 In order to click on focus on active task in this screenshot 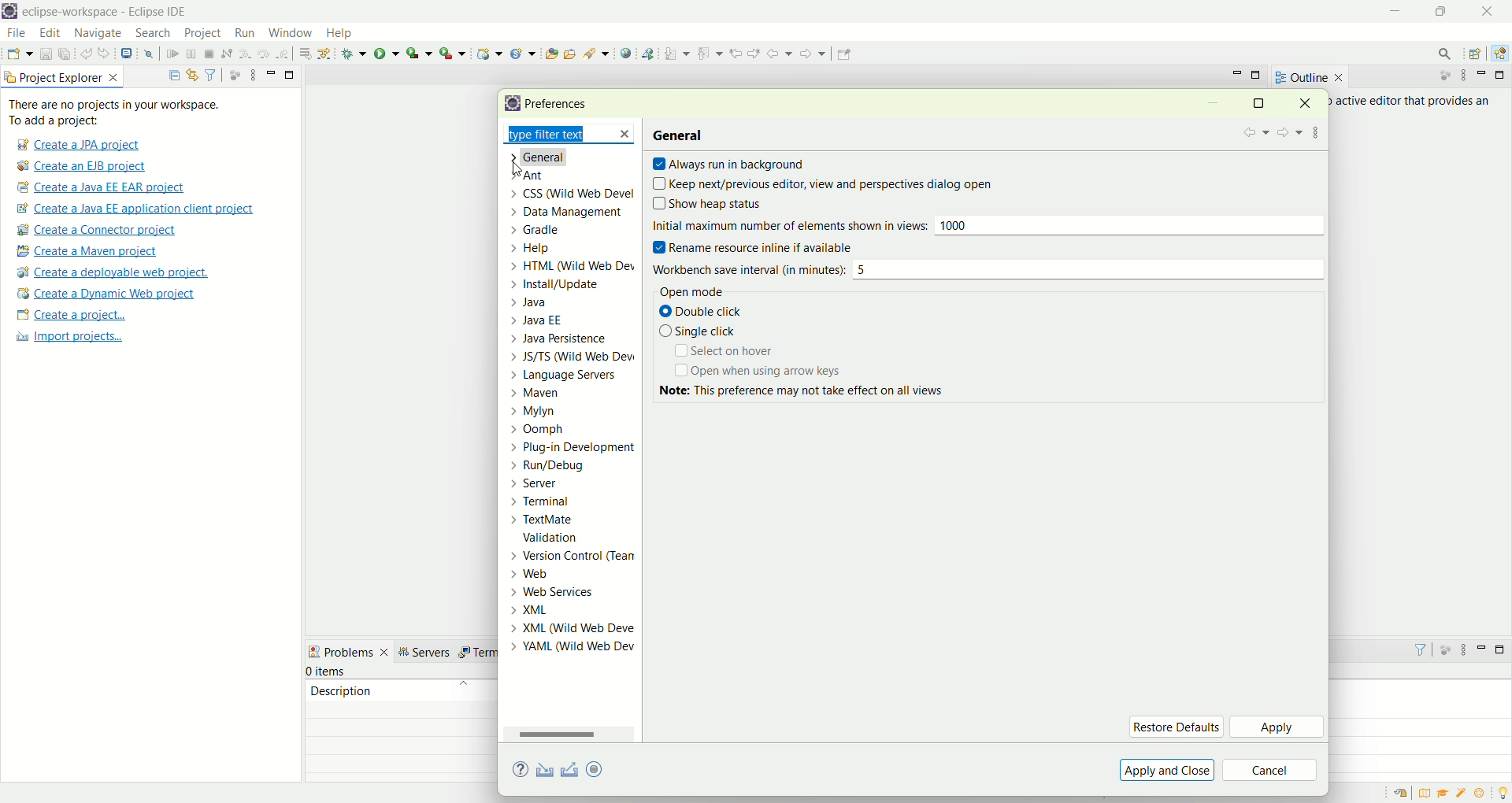, I will do `click(1437, 76)`.